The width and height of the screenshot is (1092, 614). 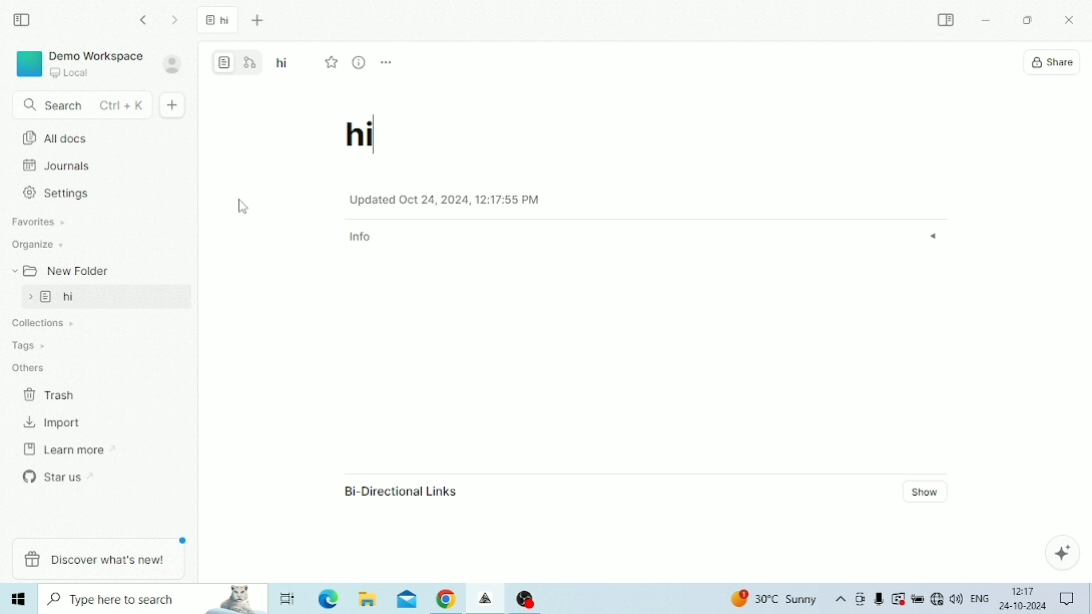 I want to click on Language, so click(x=979, y=597).